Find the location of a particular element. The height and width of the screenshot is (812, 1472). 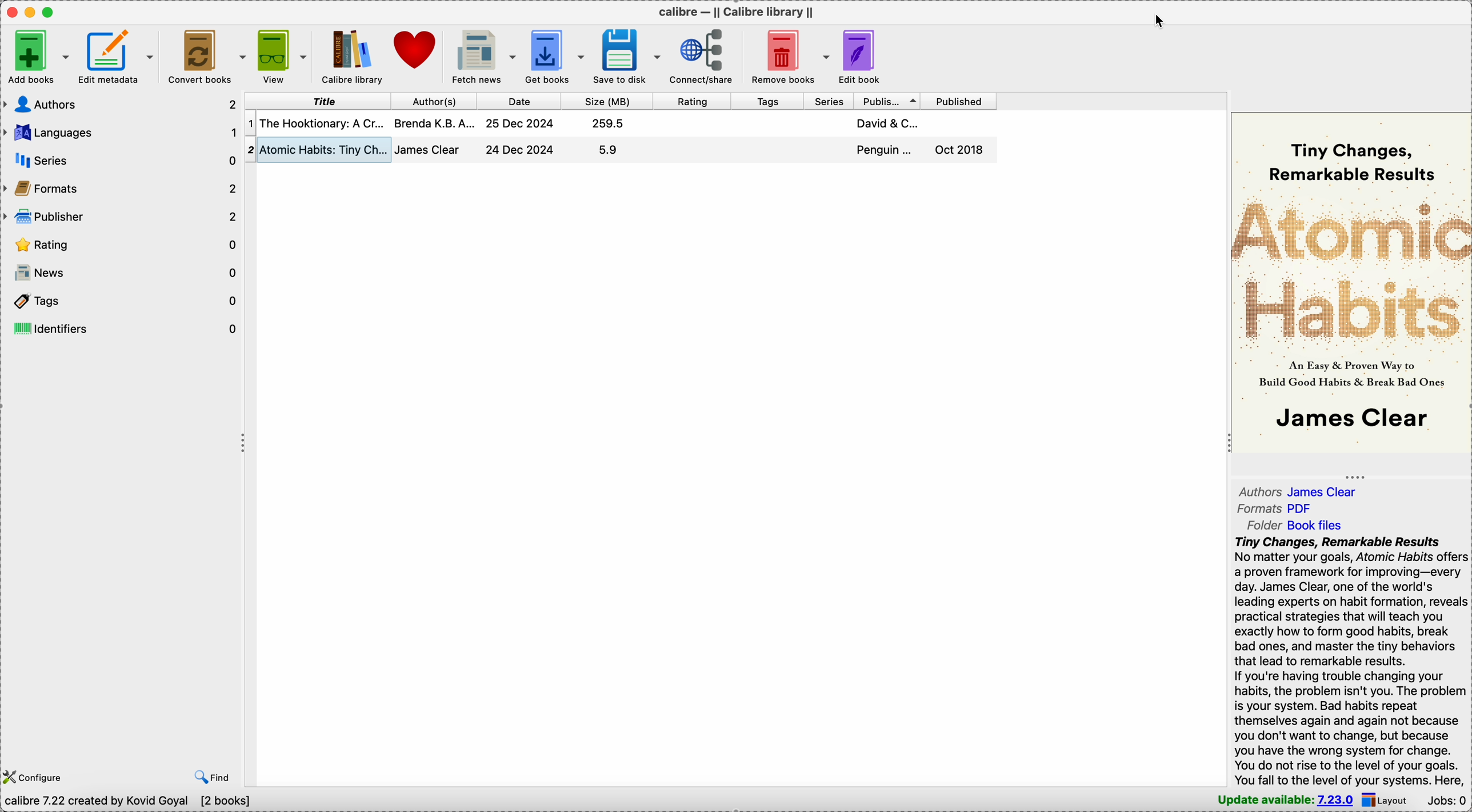

maximize Calibre is located at coordinates (50, 12).